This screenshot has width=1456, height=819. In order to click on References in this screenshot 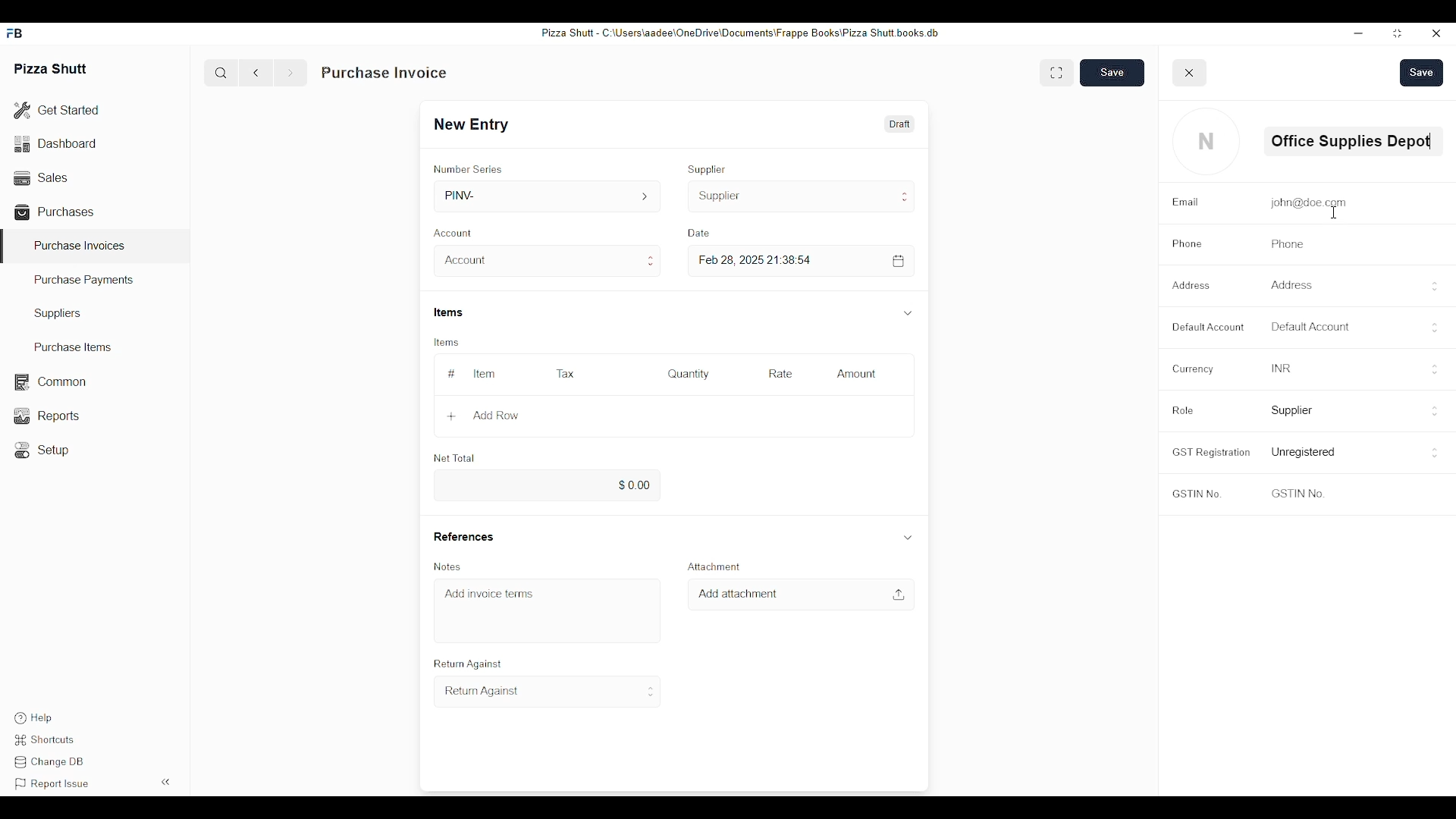, I will do `click(463, 536)`.